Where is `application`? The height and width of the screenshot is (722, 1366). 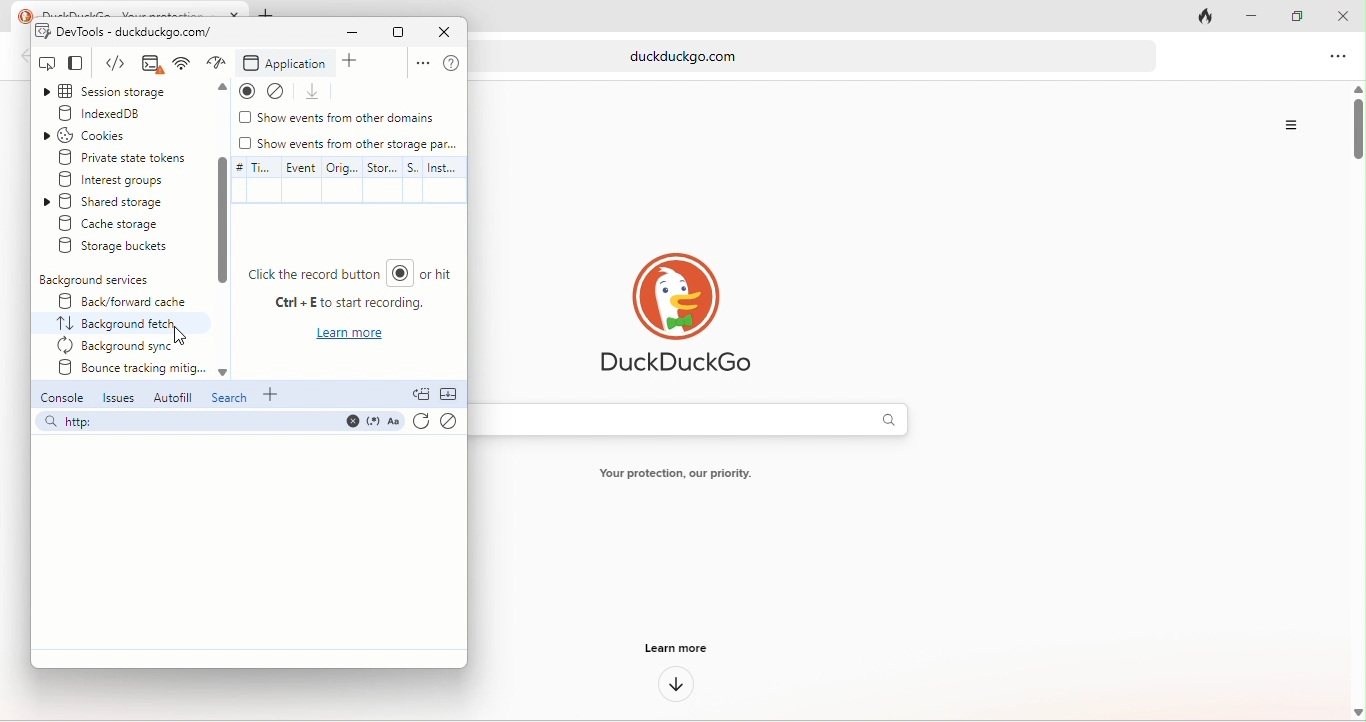 application is located at coordinates (286, 64).